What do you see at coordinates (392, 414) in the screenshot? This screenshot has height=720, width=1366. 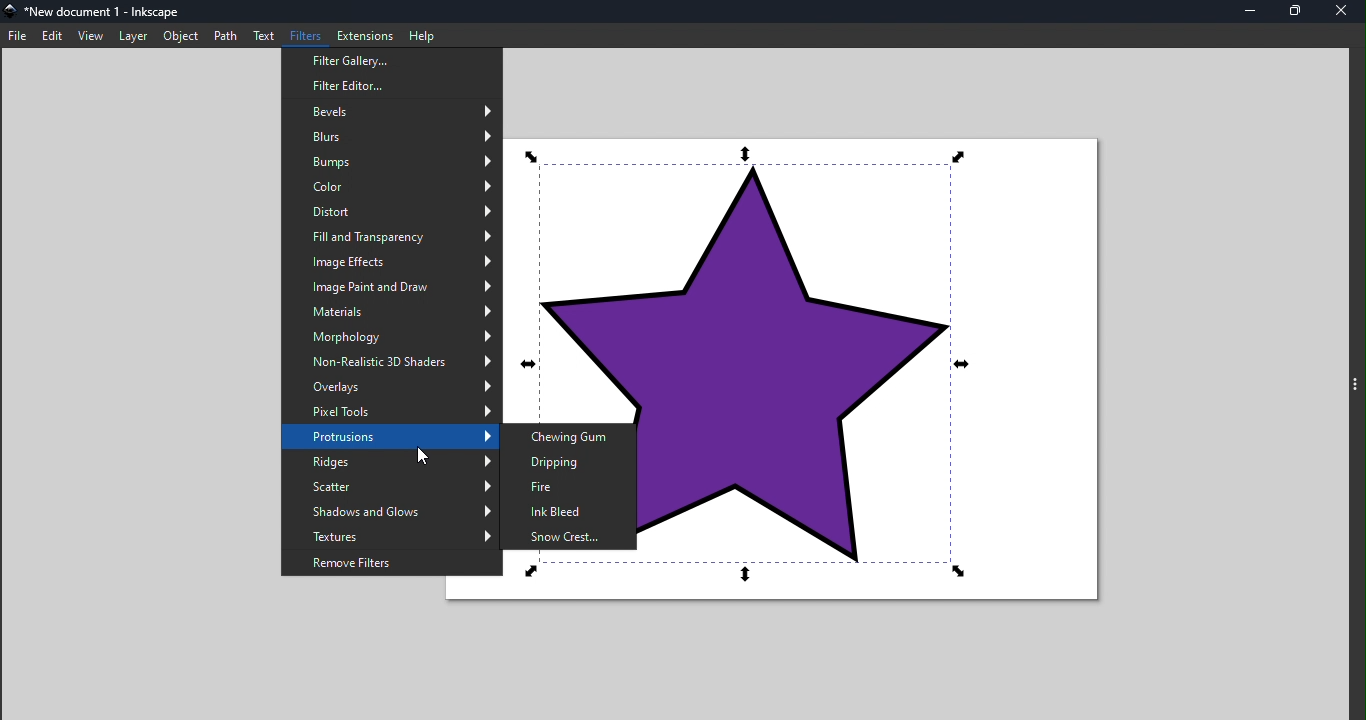 I see `Pixels` at bounding box center [392, 414].